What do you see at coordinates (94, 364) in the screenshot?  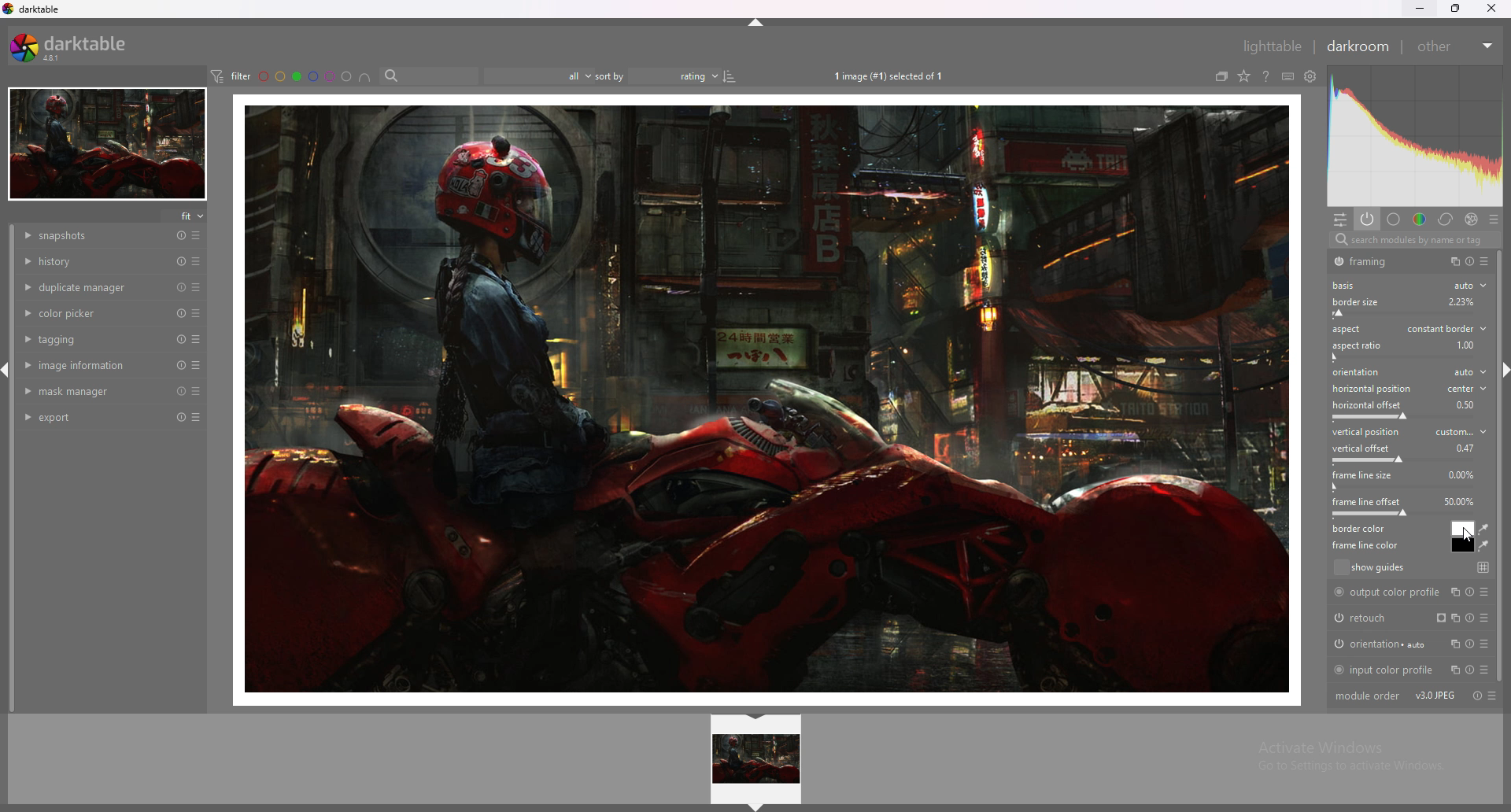 I see `image information` at bounding box center [94, 364].